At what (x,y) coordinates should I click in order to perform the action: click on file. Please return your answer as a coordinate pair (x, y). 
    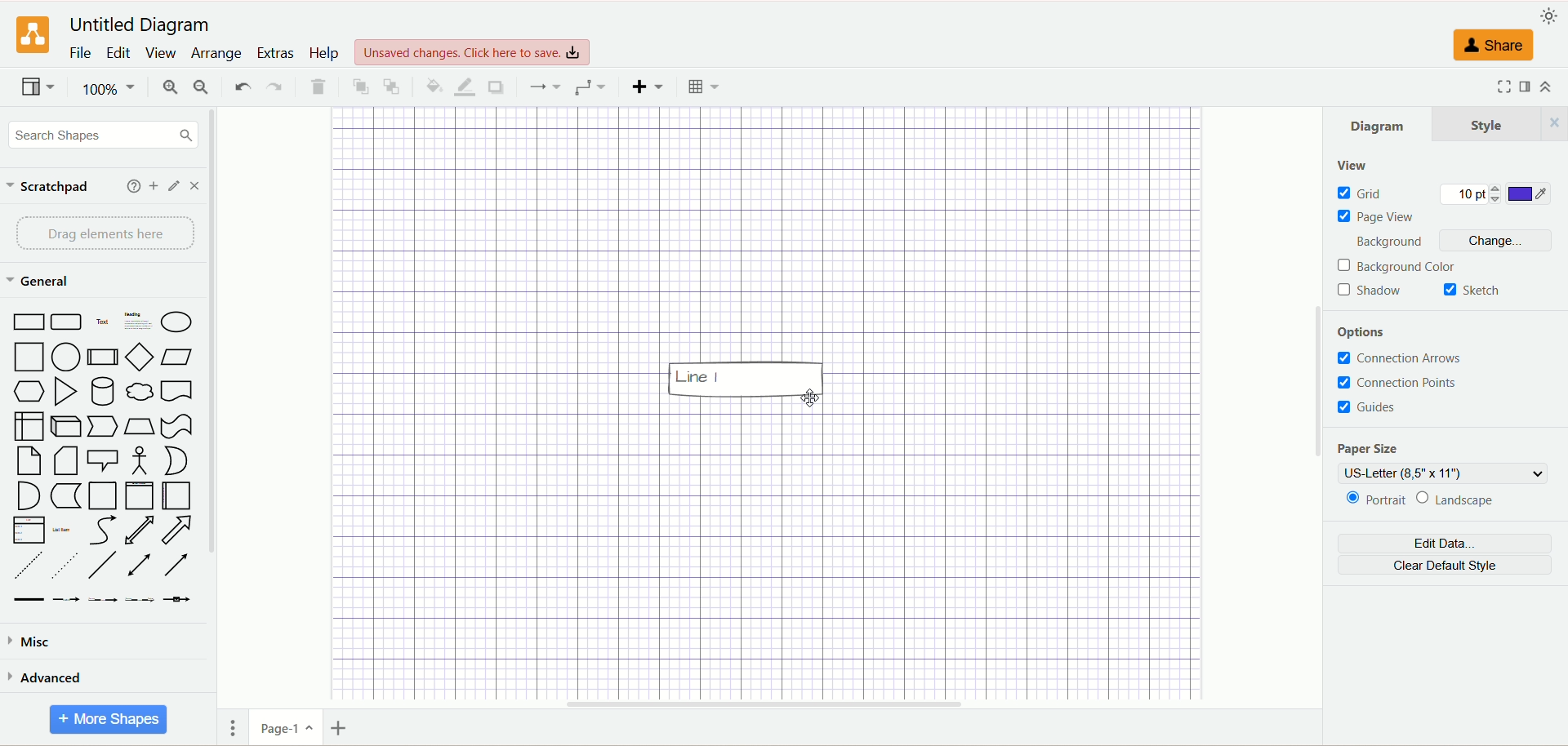
    Looking at the image, I should click on (80, 54).